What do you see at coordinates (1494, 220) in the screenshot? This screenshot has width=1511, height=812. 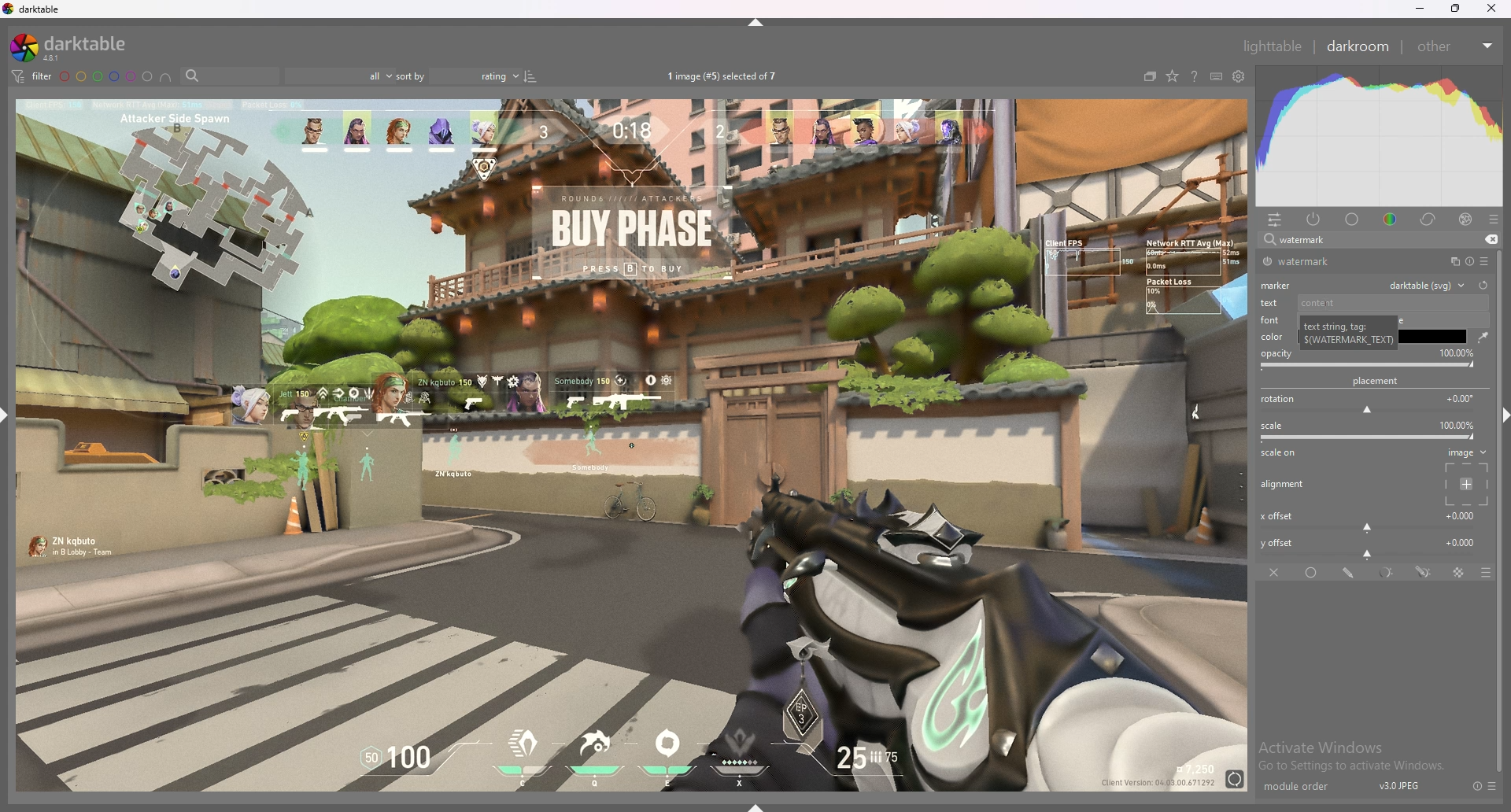 I see `presets` at bounding box center [1494, 220].